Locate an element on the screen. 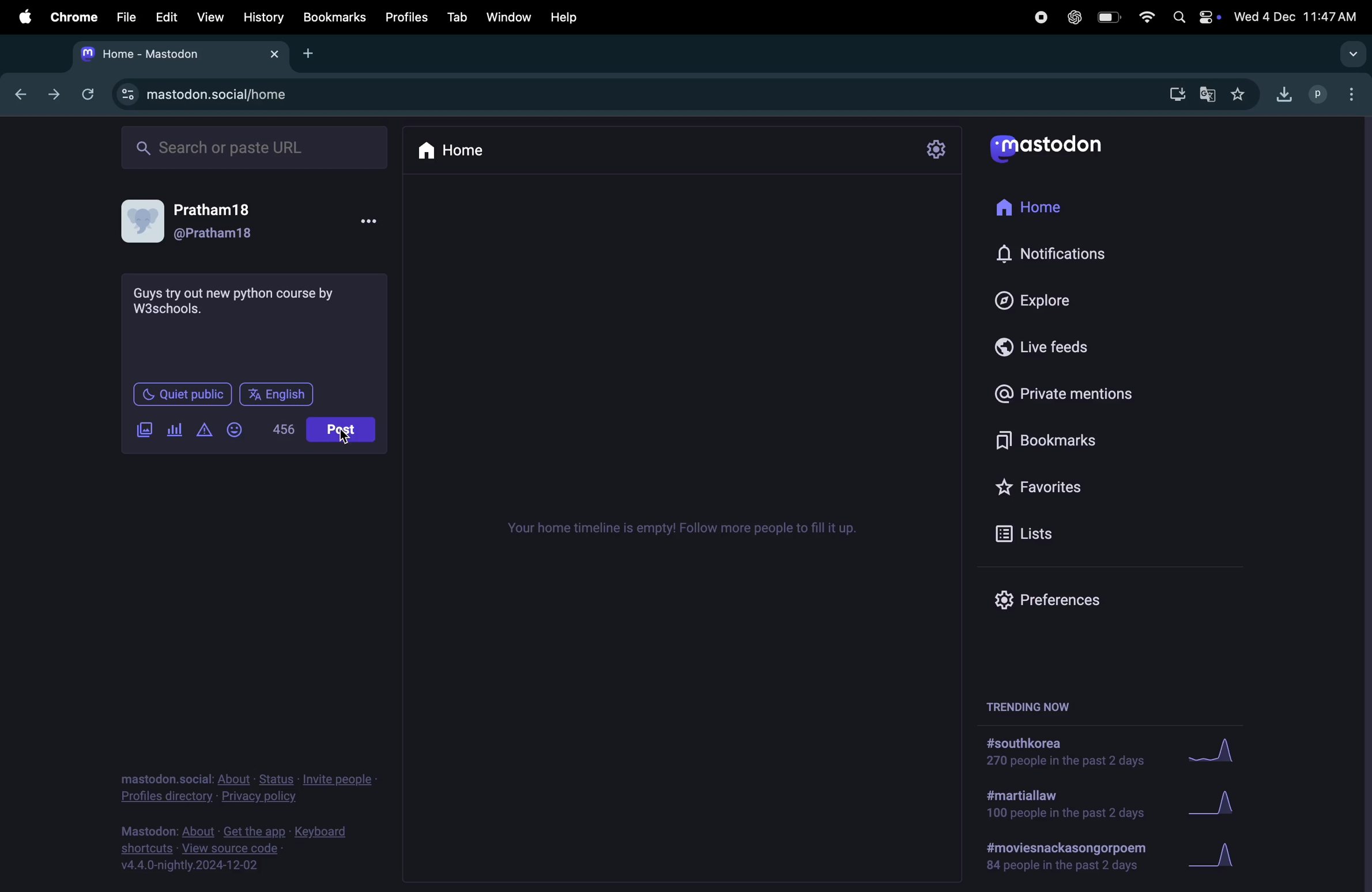  battery is located at coordinates (1108, 17).